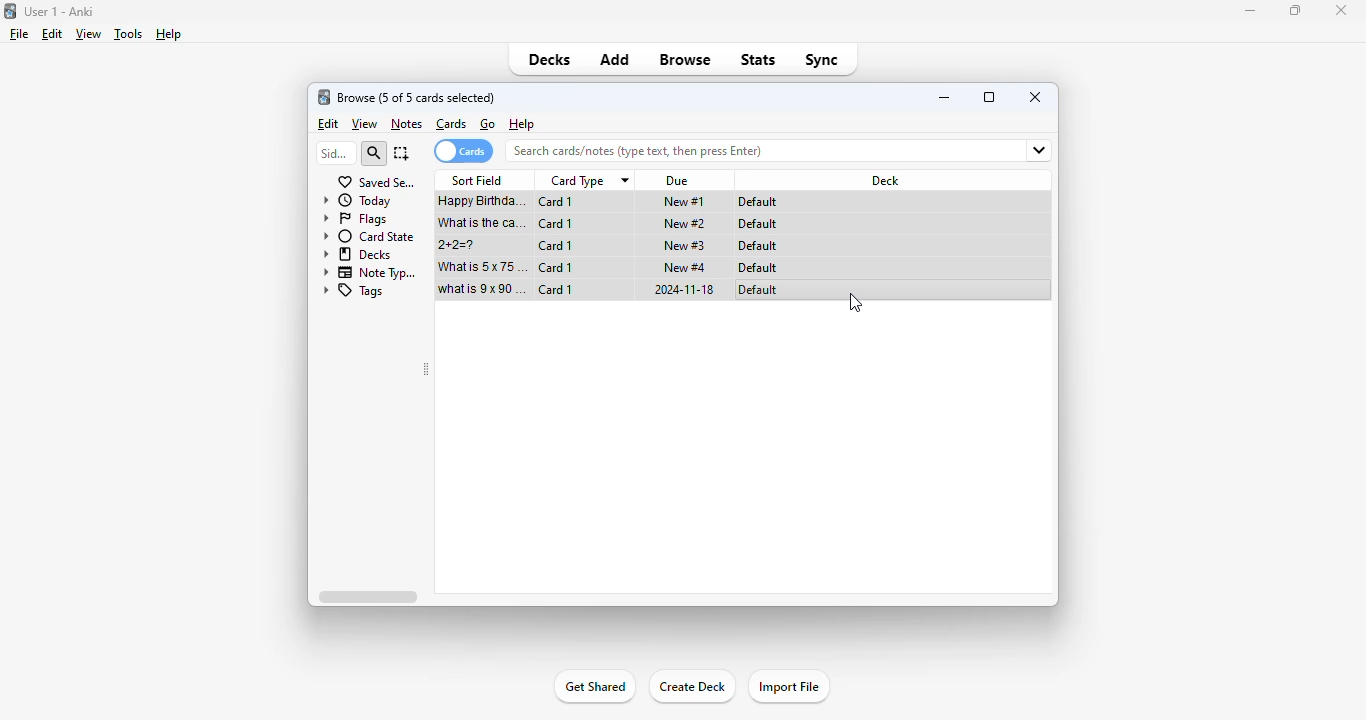  What do you see at coordinates (451, 124) in the screenshot?
I see `cards` at bounding box center [451, 124].